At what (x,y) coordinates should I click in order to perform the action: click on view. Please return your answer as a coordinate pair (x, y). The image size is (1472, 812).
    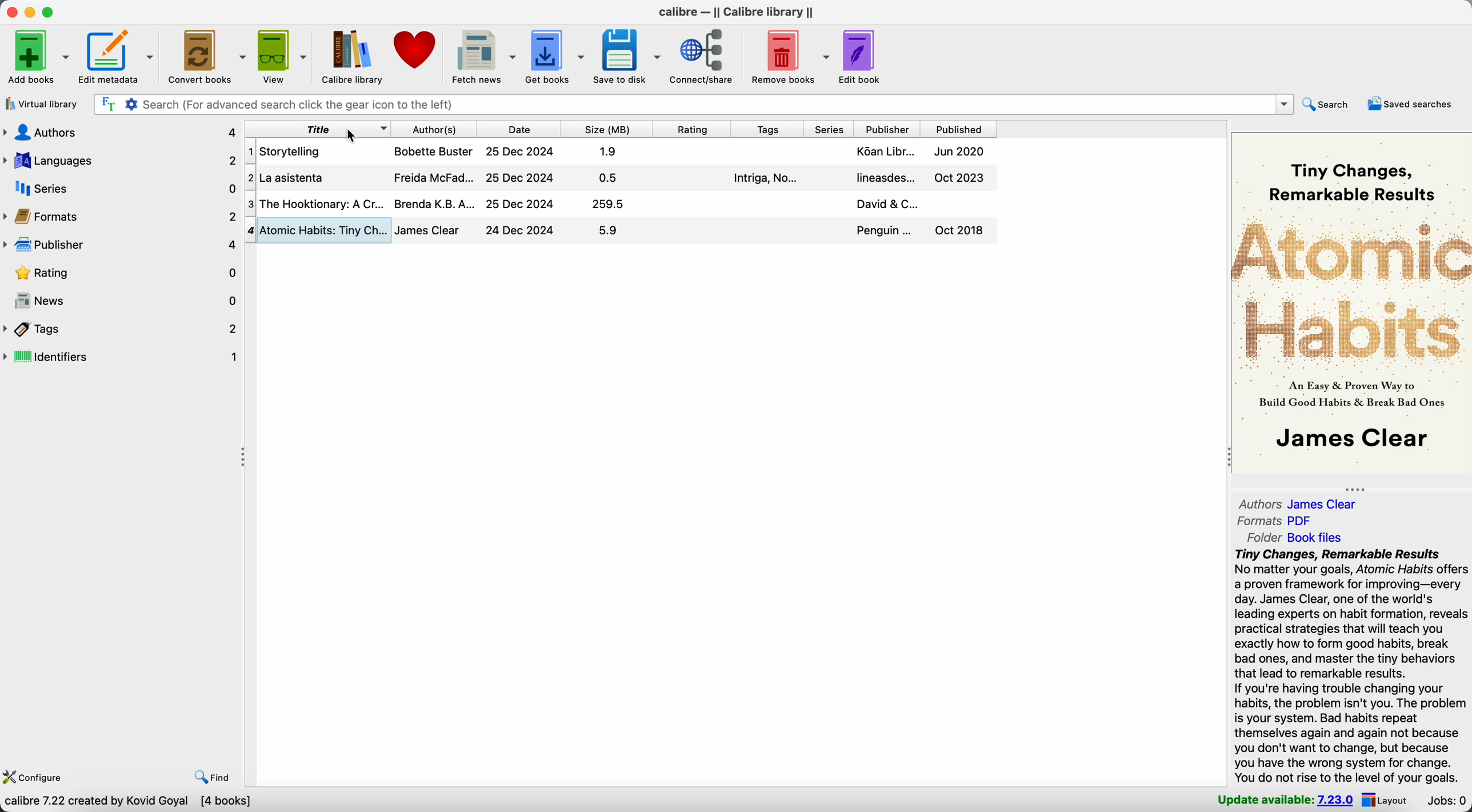
    Looking at the image, I should click on (282, 57).